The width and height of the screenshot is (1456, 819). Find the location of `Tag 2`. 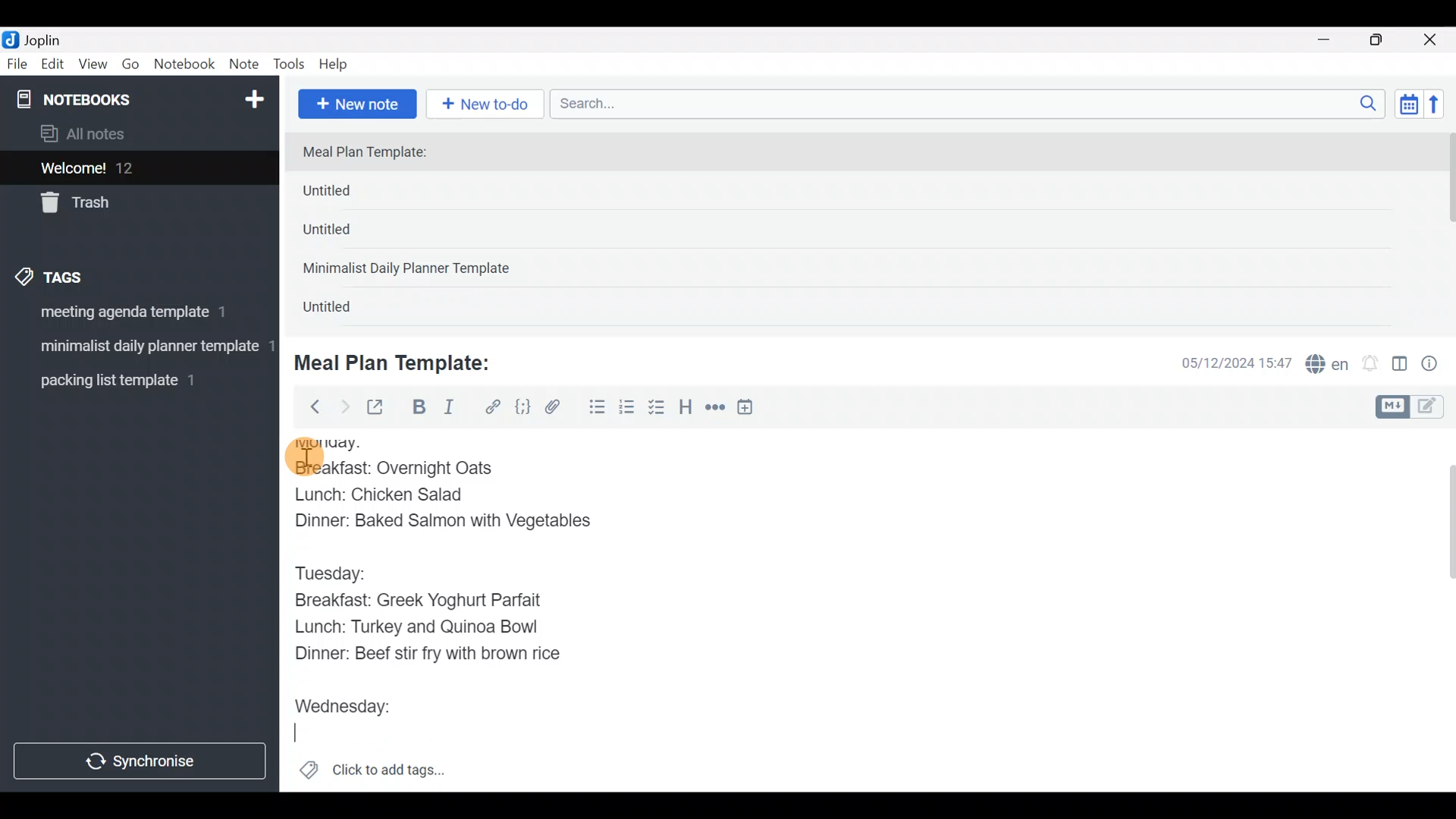

Tag 2 is located at coordinates (139, 348).